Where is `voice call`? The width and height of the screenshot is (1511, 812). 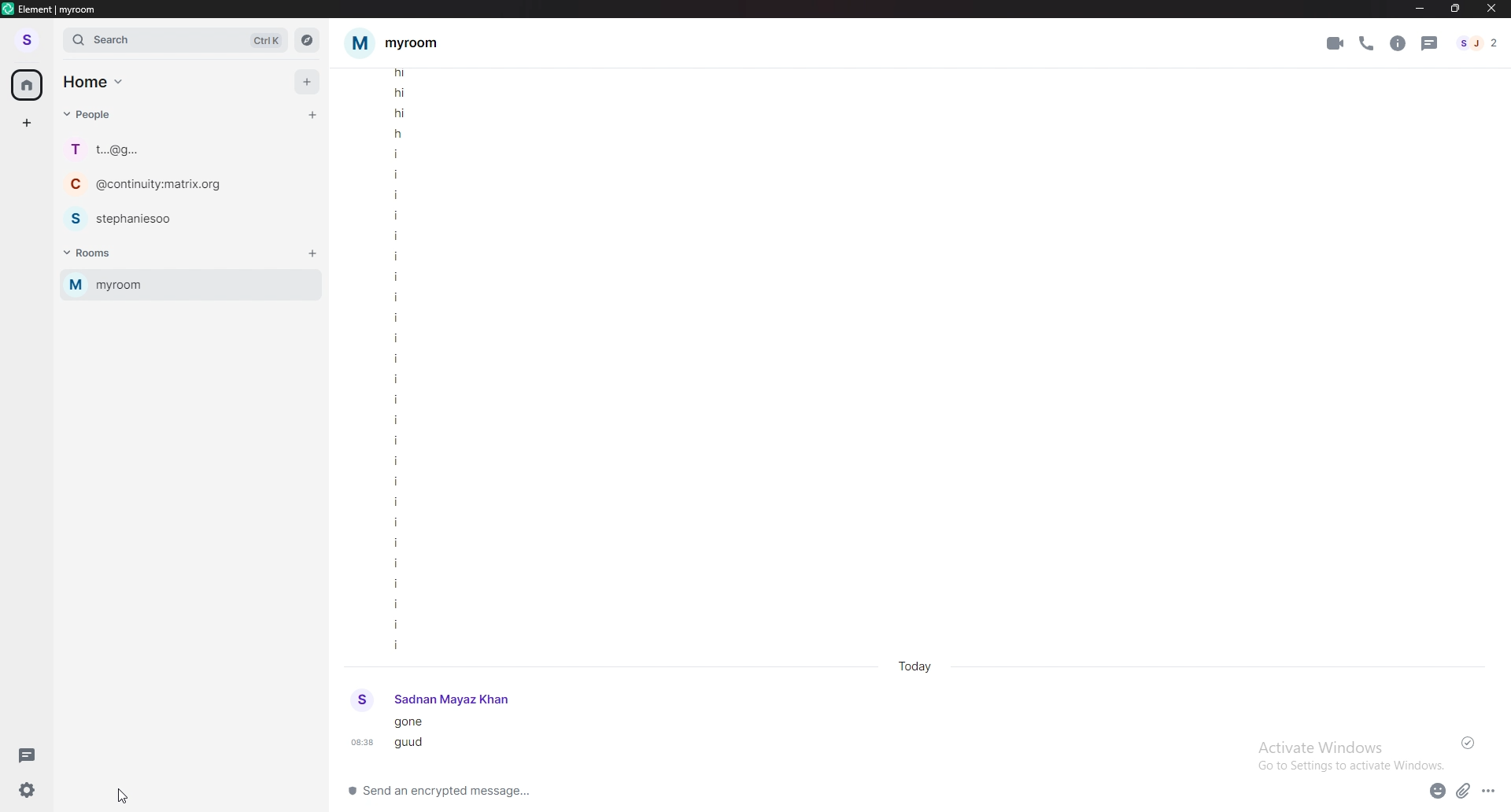 voice call is located at coordinates (1367, 44).